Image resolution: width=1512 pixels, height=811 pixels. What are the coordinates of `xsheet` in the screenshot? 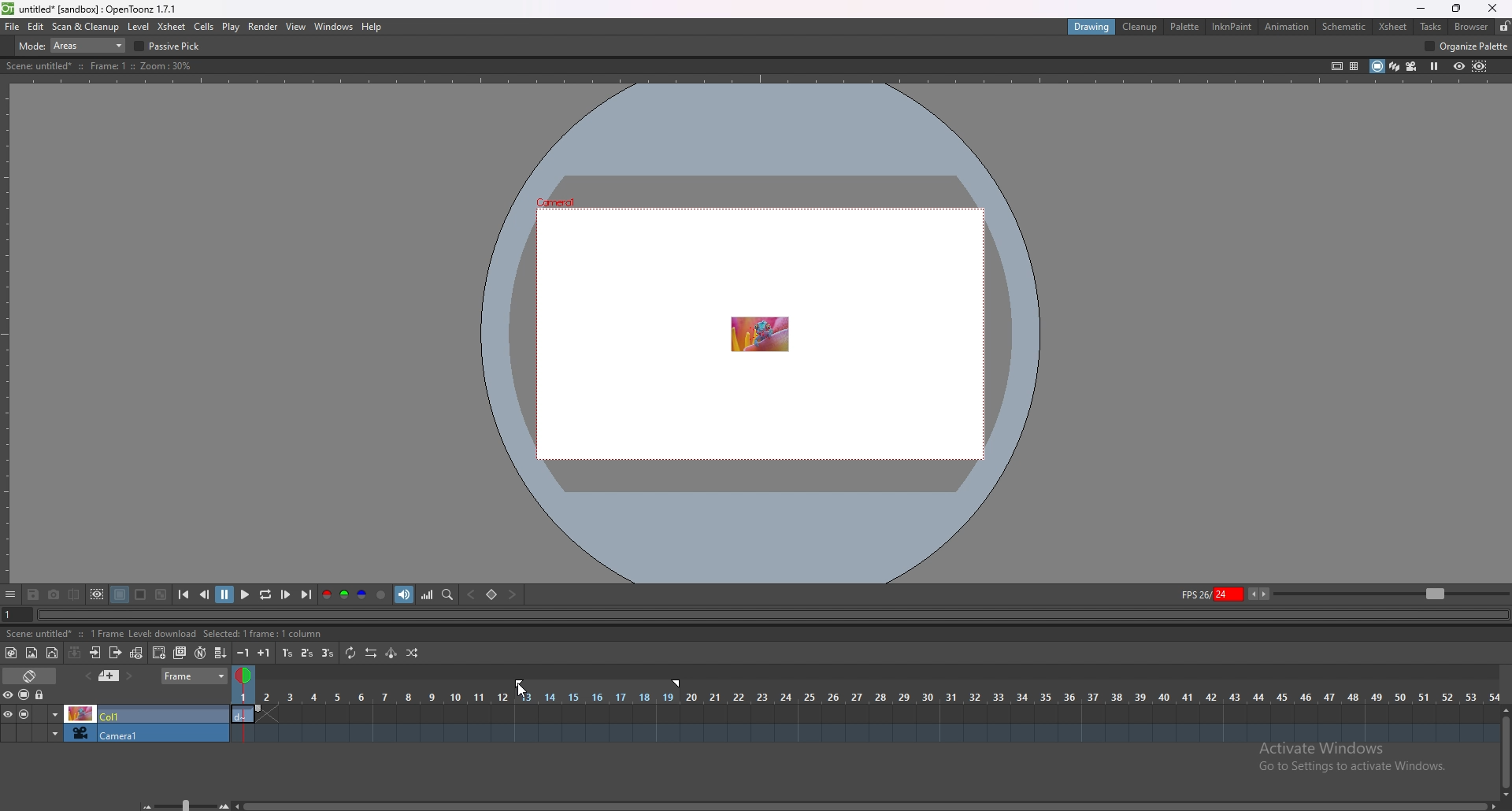 It's located at (1393, 28).